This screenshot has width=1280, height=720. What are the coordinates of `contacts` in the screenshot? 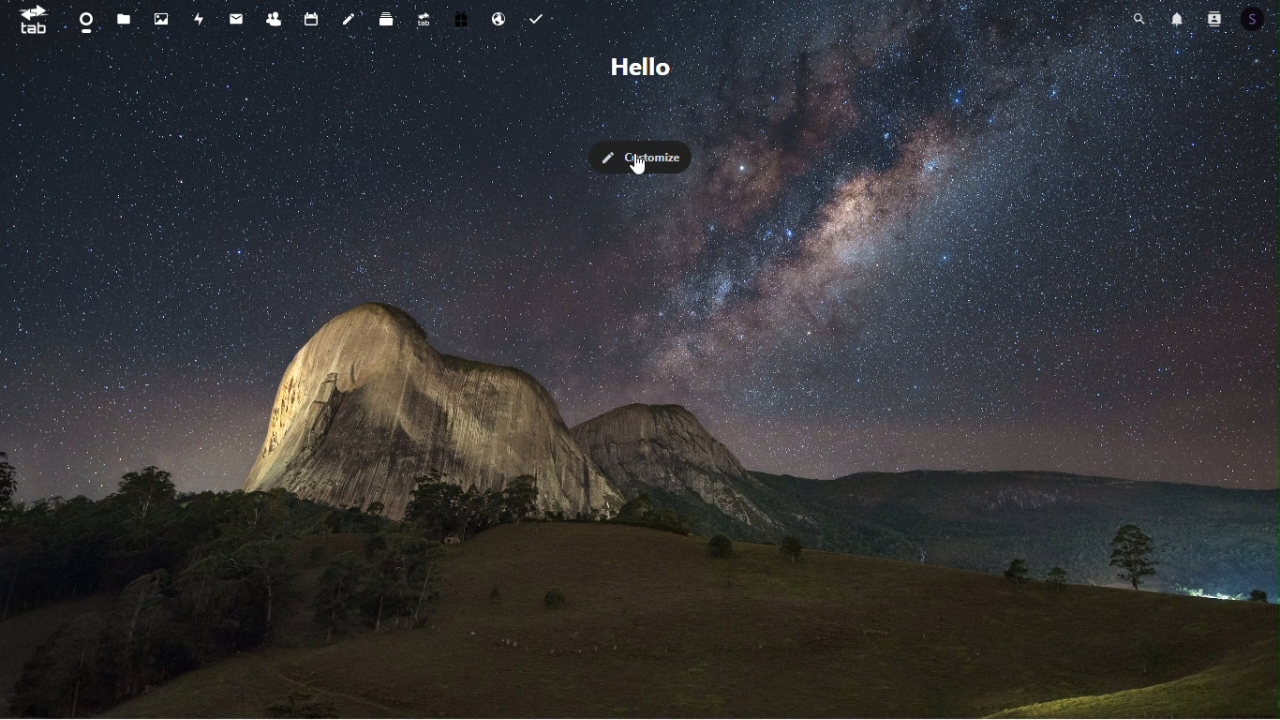 It's located at (274, 18).